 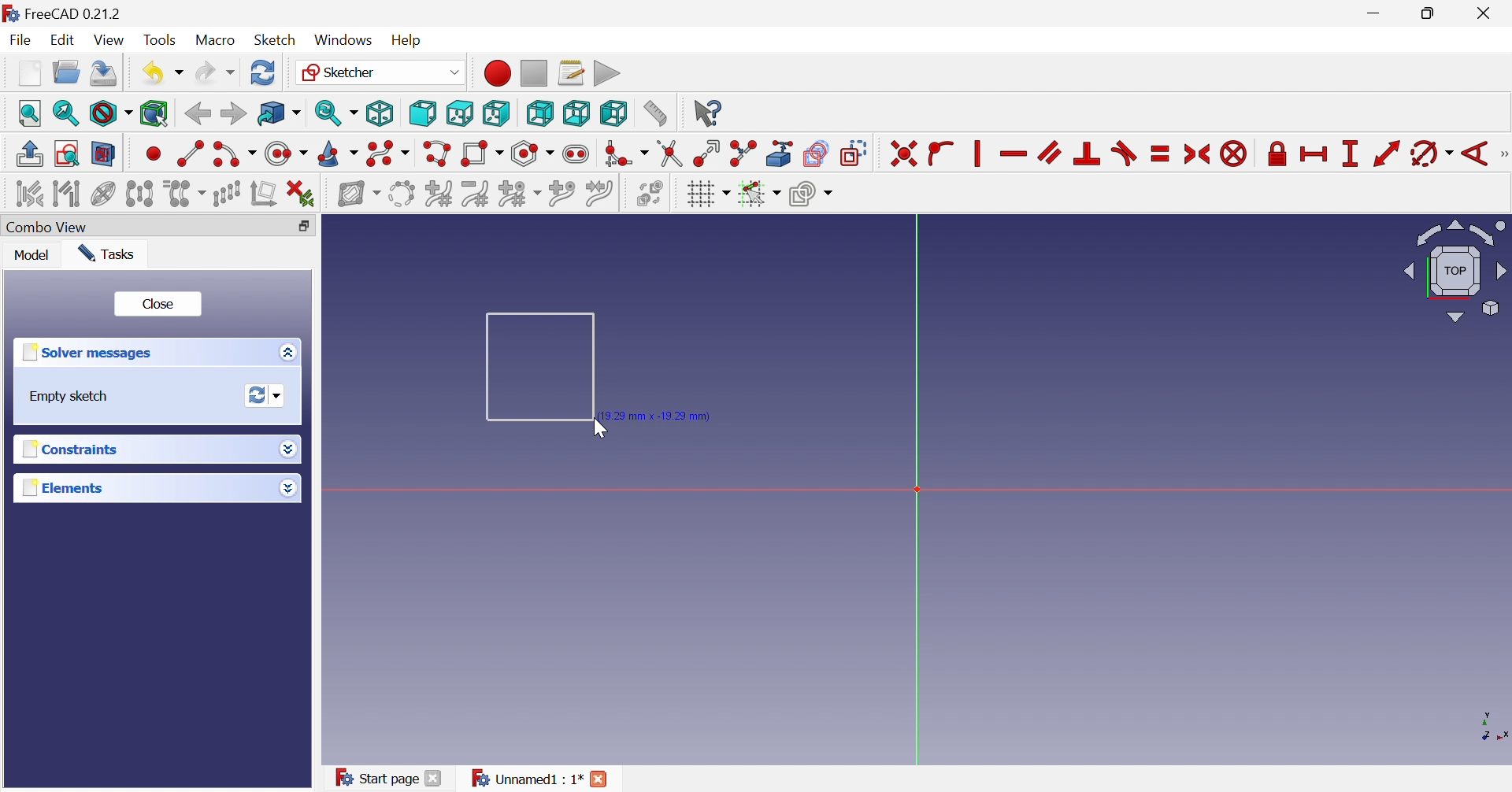 I want to click on 19.29mm, -19.29mm, so click(x=658, y=416).